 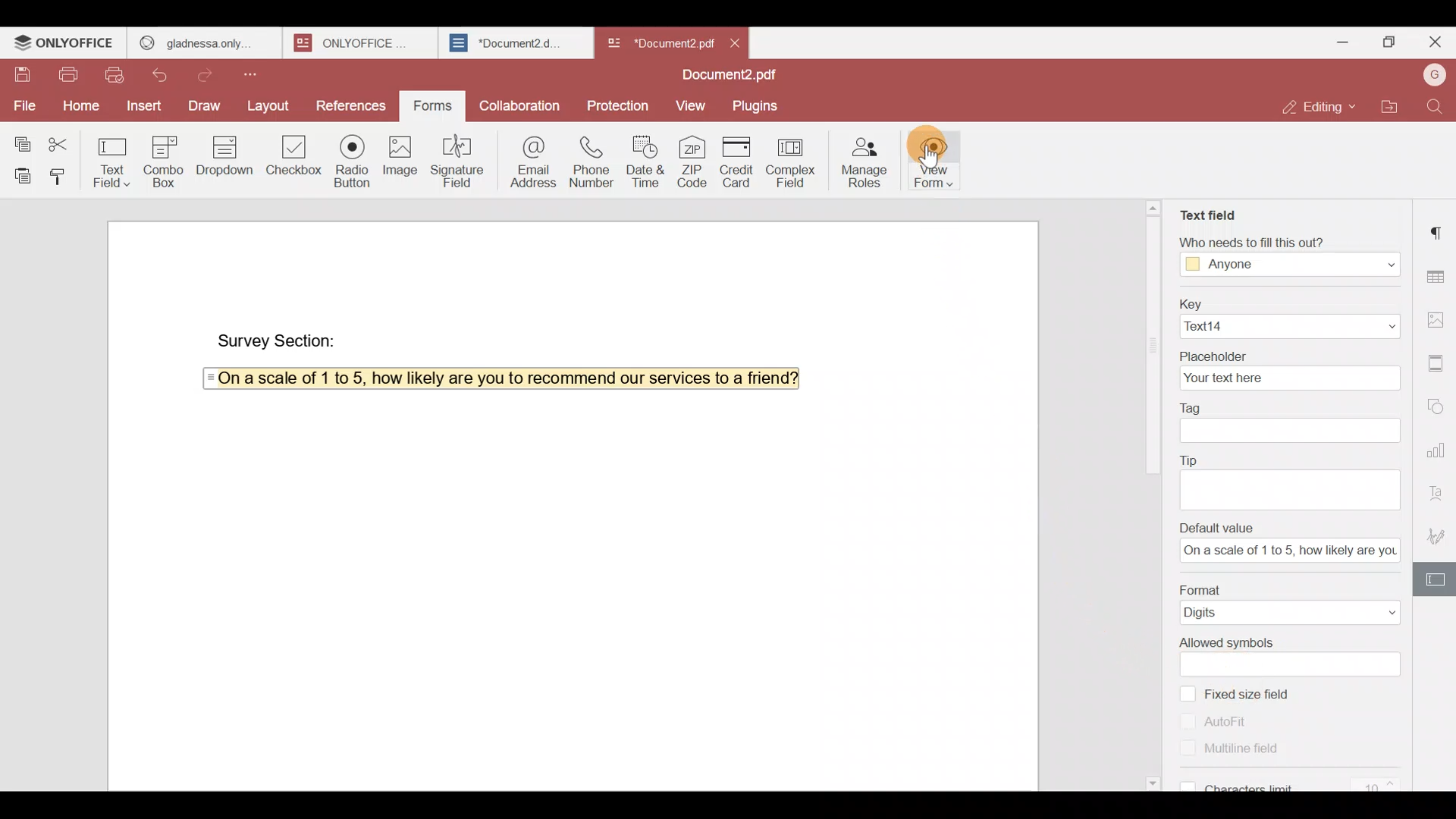 I want to click on on the scale of 1 to 5 how likely are you, so click(x=1285, y=552).